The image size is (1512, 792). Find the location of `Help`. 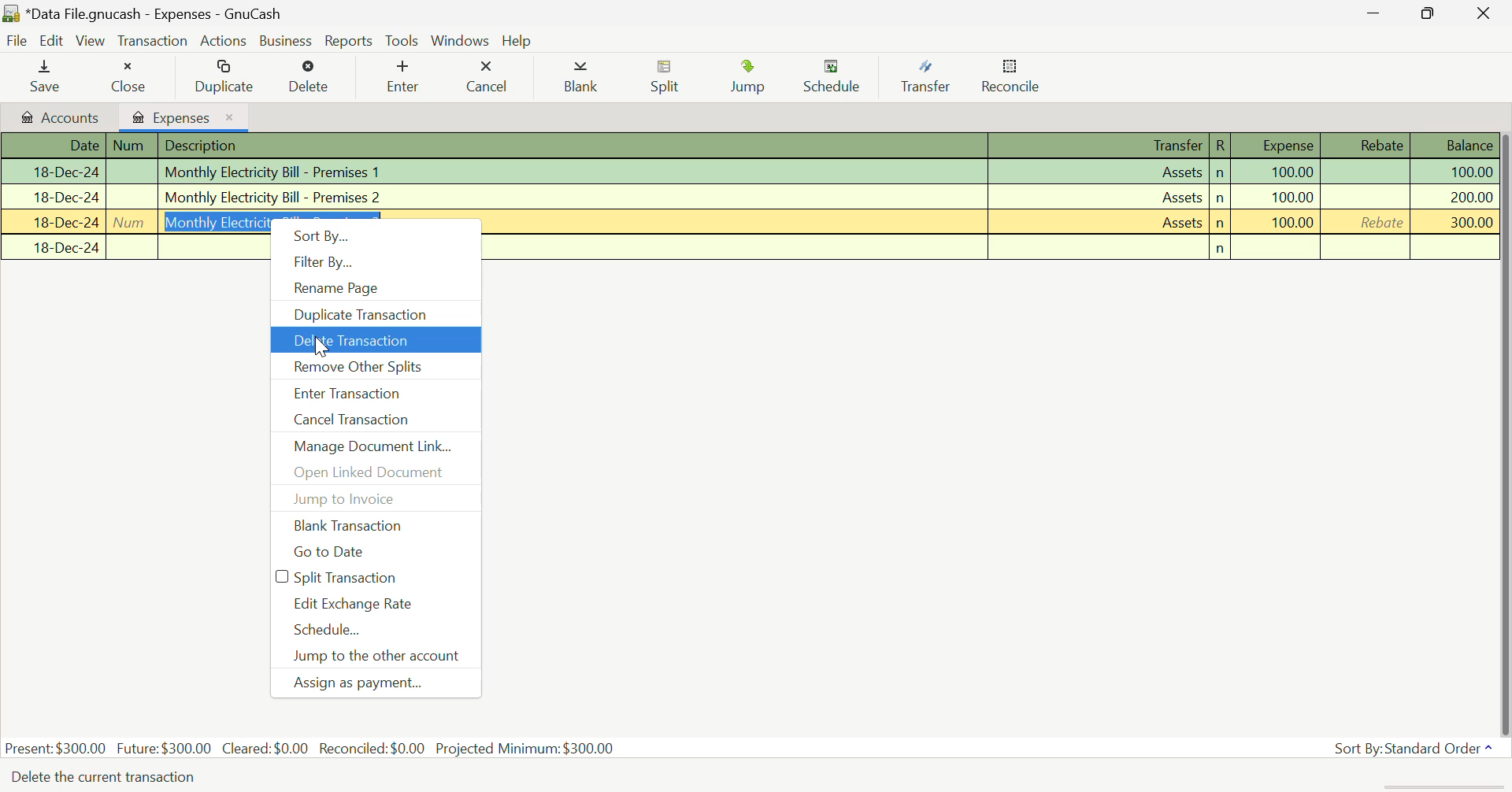

Help is located at coordinates (519, 40).